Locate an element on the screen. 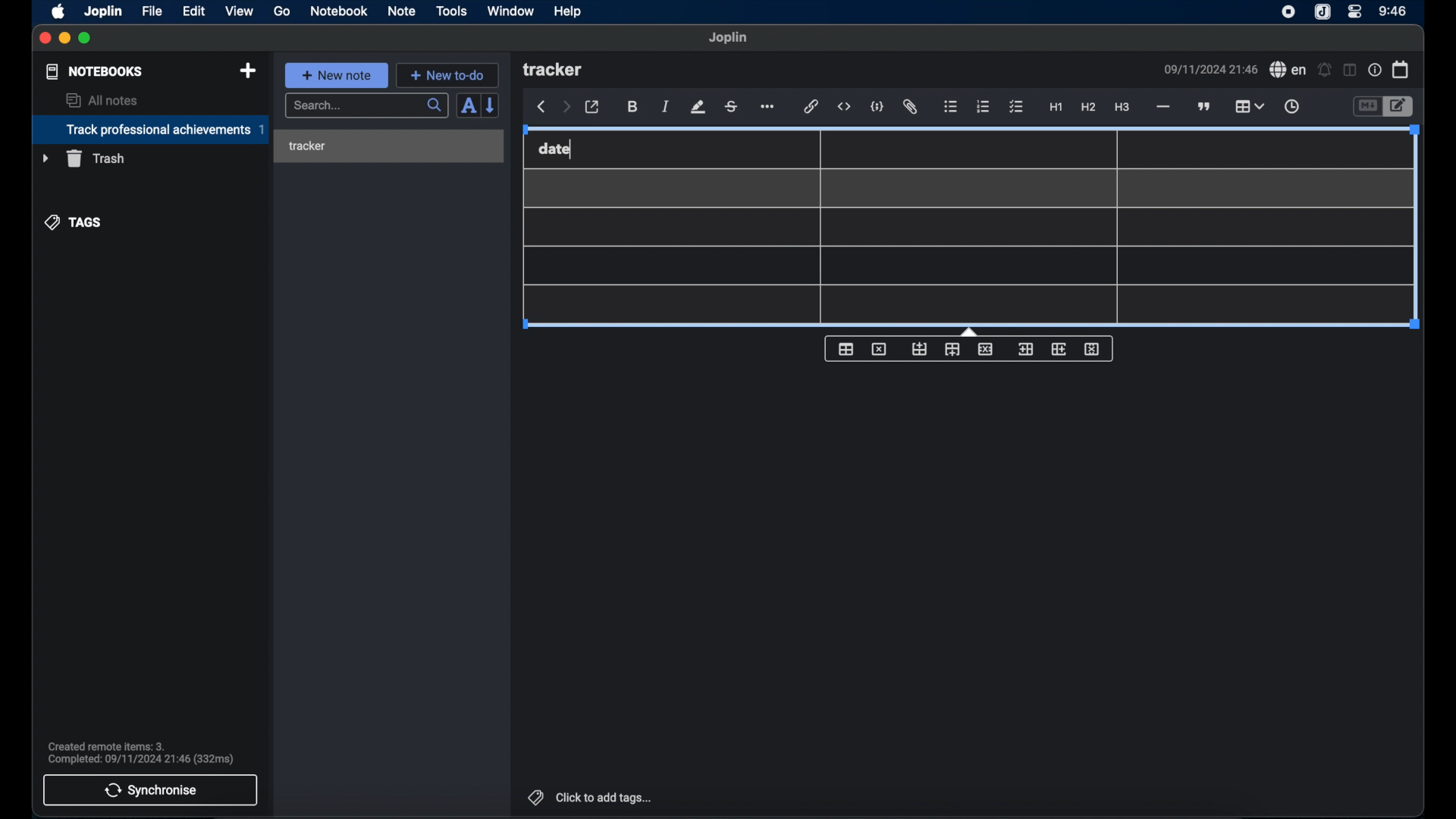  bold is located at coordinates (632, 107).